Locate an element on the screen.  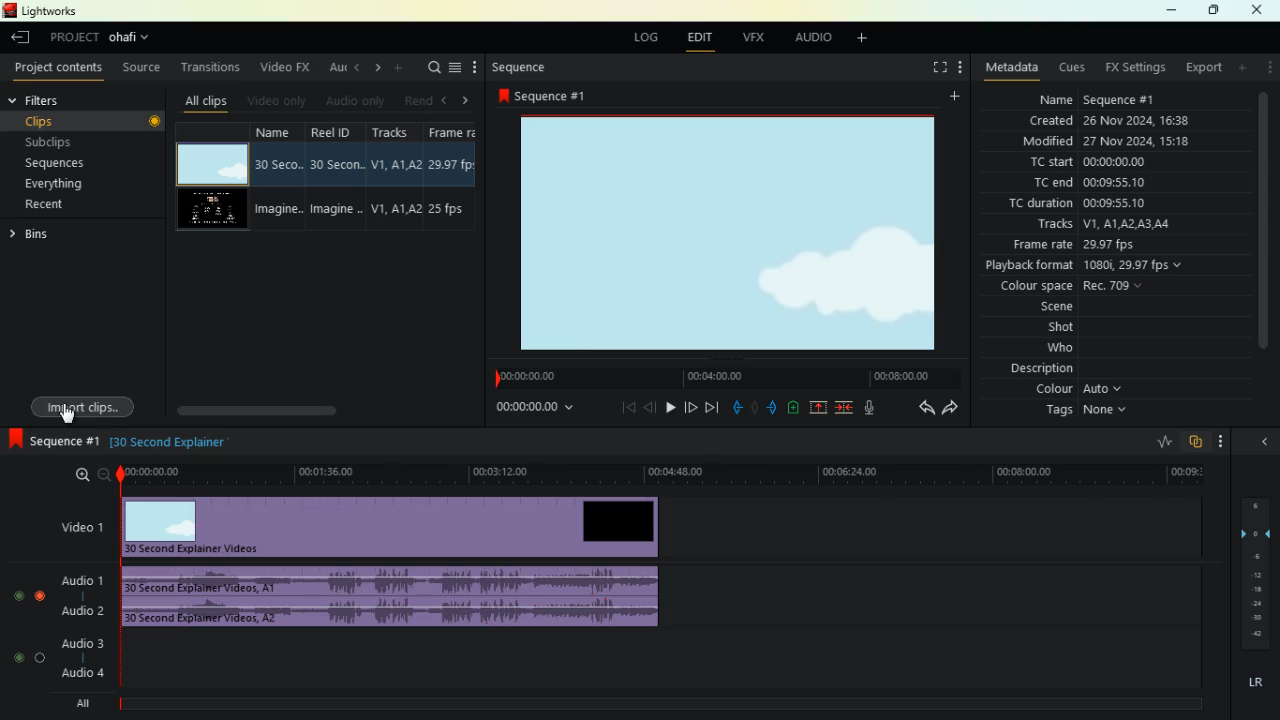
fps is located at coordinates (455, 179).